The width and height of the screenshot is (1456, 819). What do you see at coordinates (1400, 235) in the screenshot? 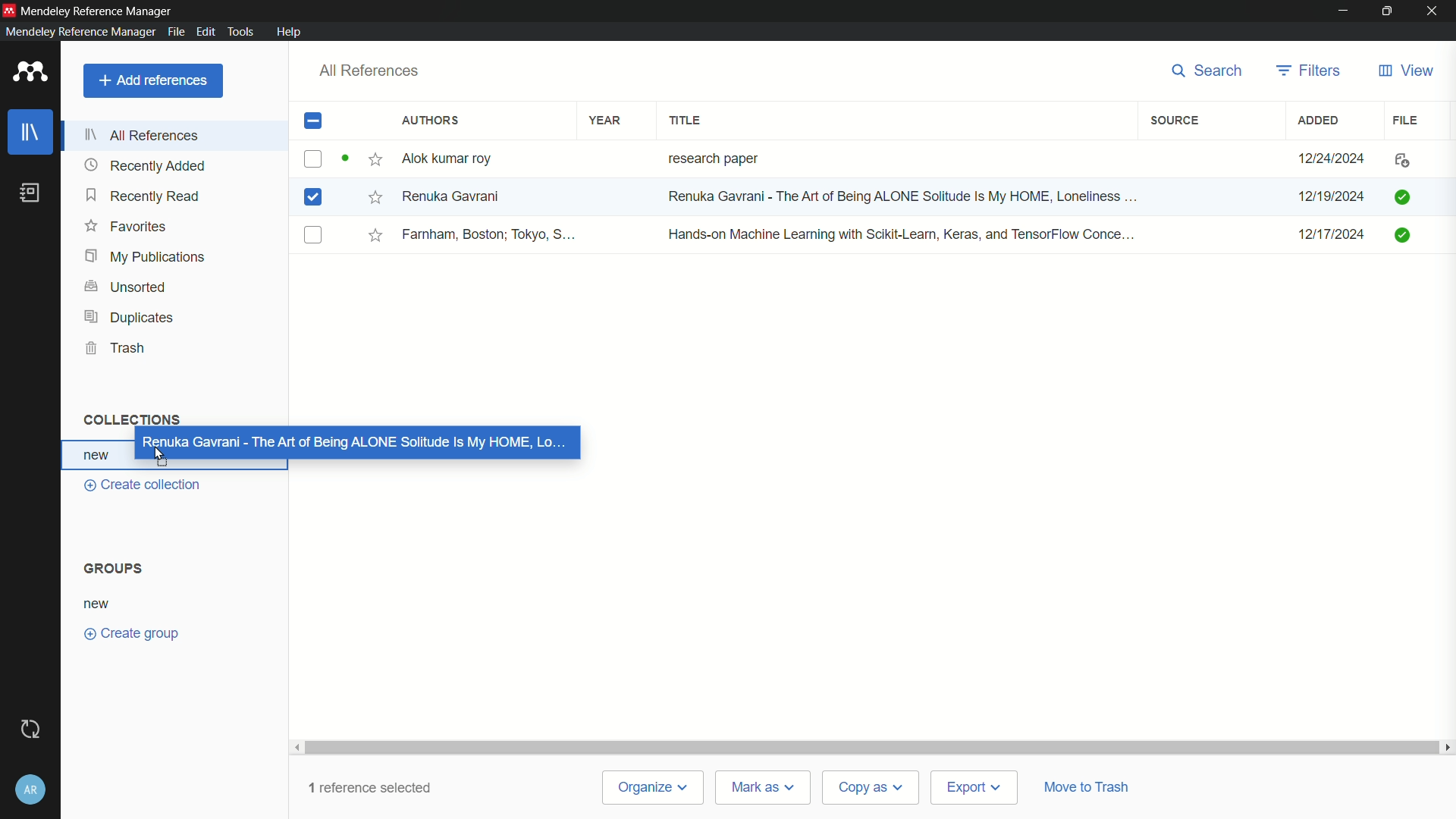
I see `File added` at bounding box center [1400, 235].